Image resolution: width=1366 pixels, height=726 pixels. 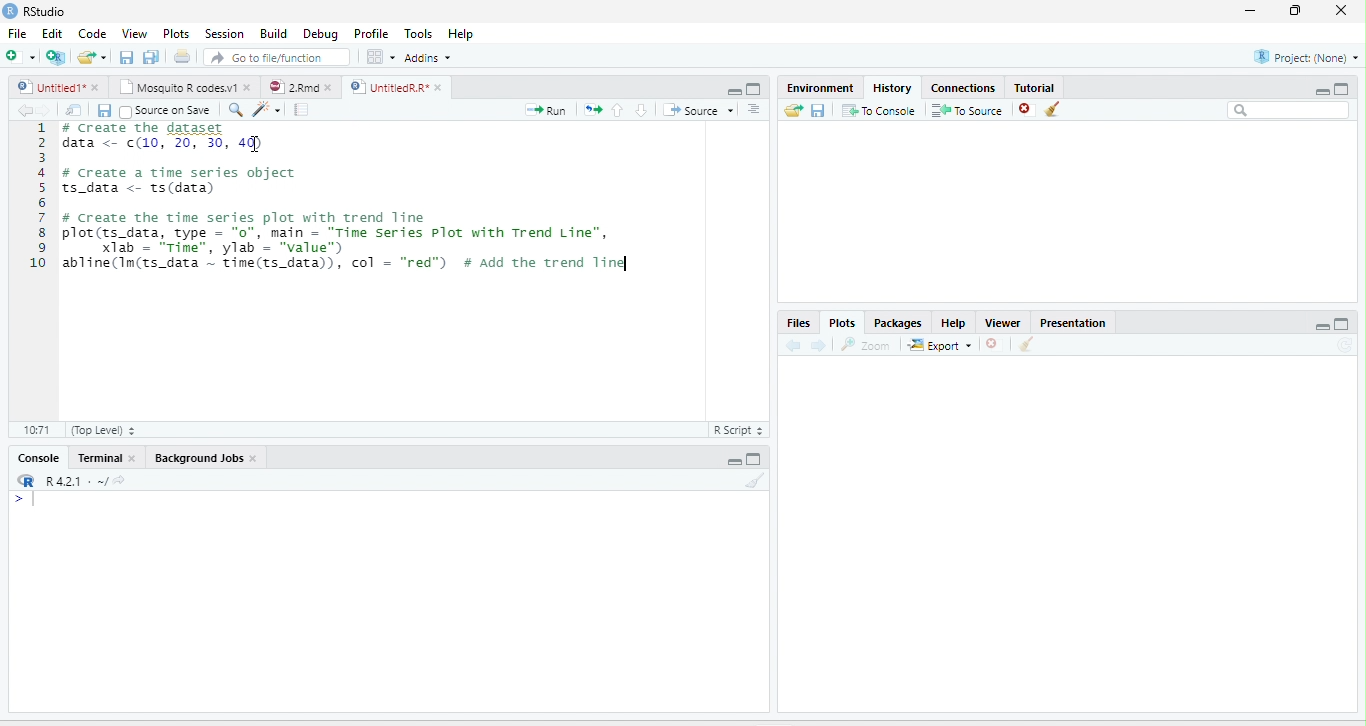 I want to click on Mosquito R codes.v1, so click(x=176, y=87).